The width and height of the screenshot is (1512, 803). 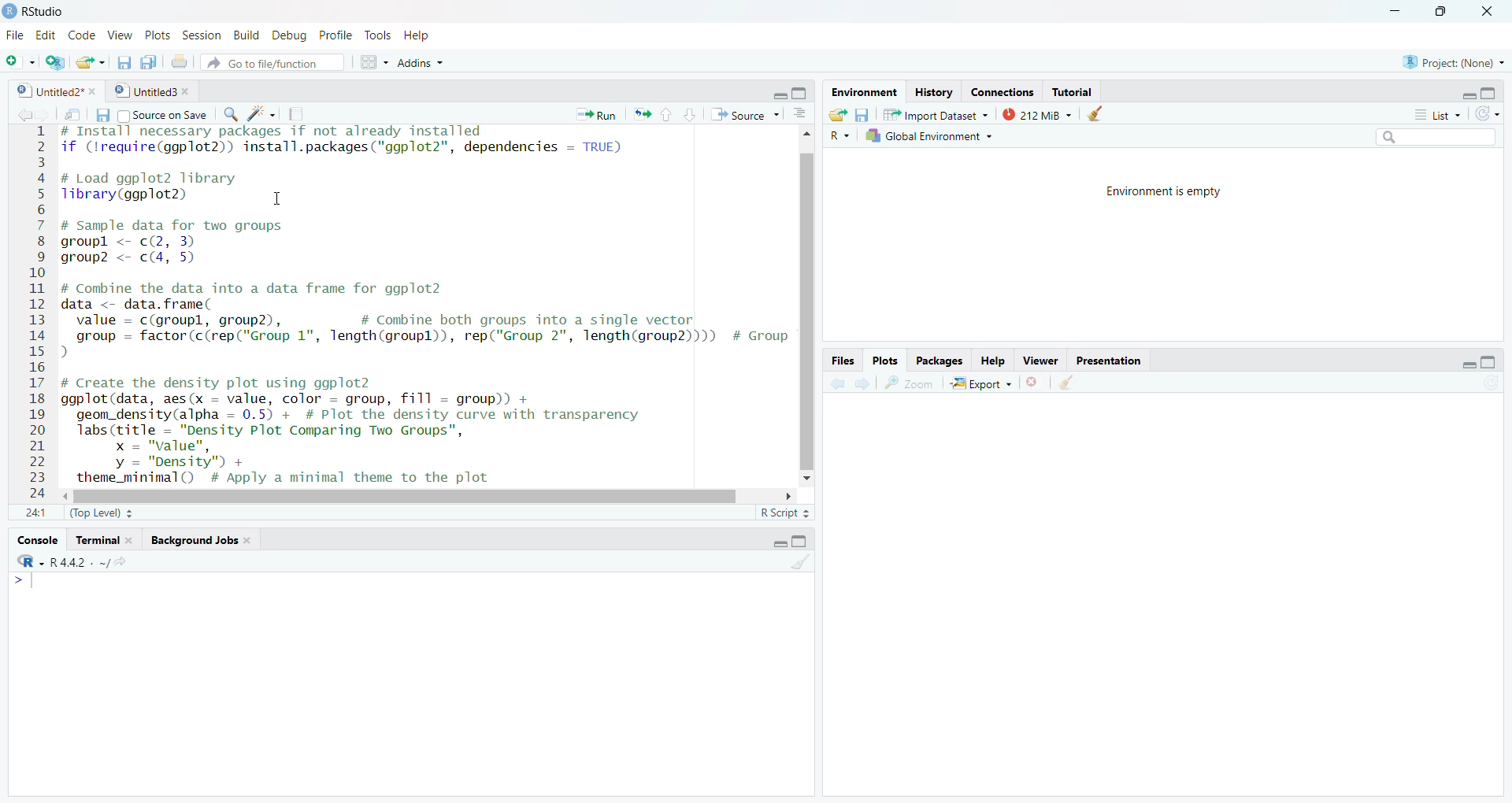 I want to click on 212 MB, so click(x=1038, y=114).